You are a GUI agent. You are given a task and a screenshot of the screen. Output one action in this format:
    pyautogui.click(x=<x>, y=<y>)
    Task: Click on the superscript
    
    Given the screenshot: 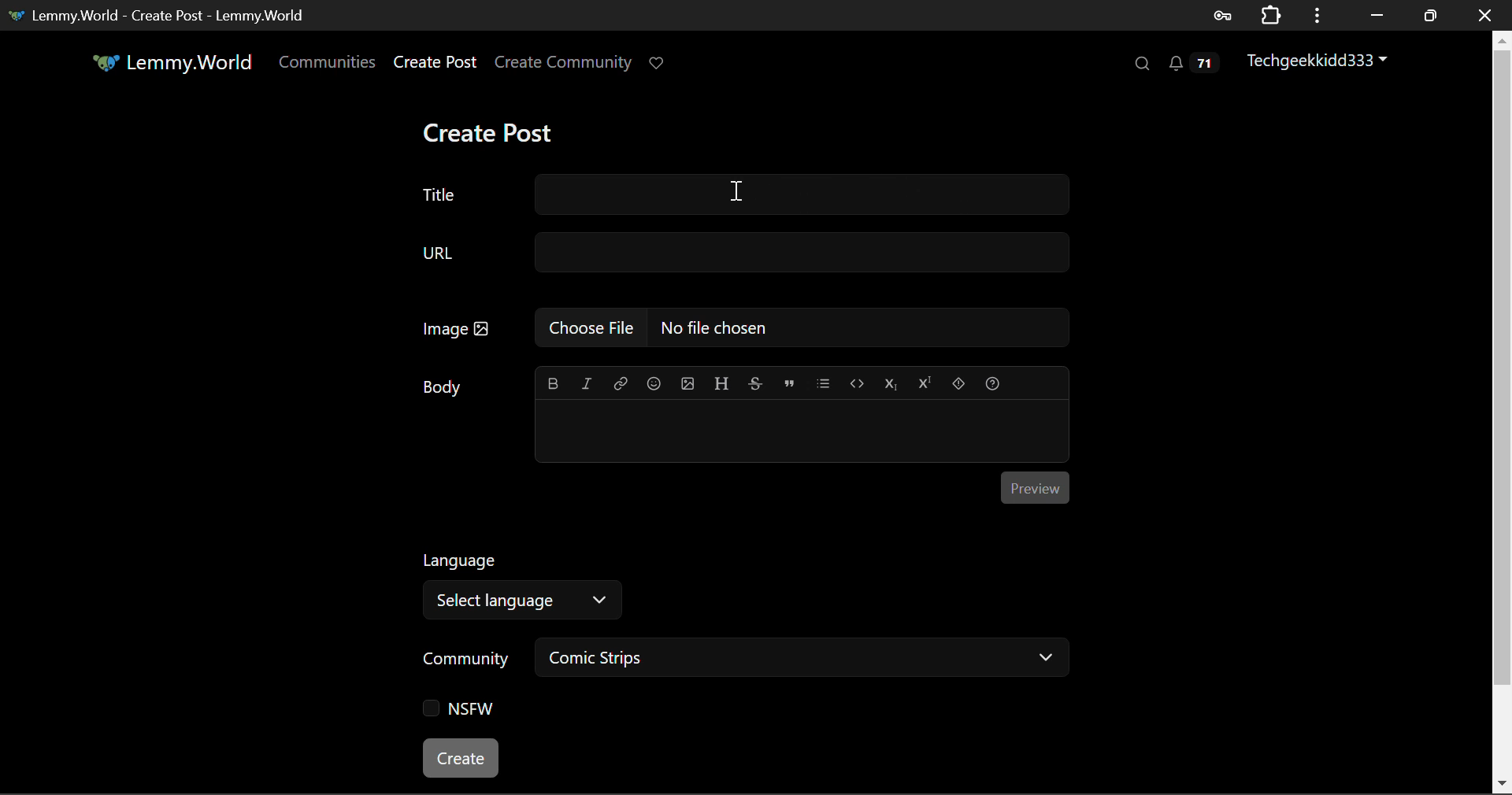 What is the action you would take?
    pyautogui.click(x=926, y=381)
    